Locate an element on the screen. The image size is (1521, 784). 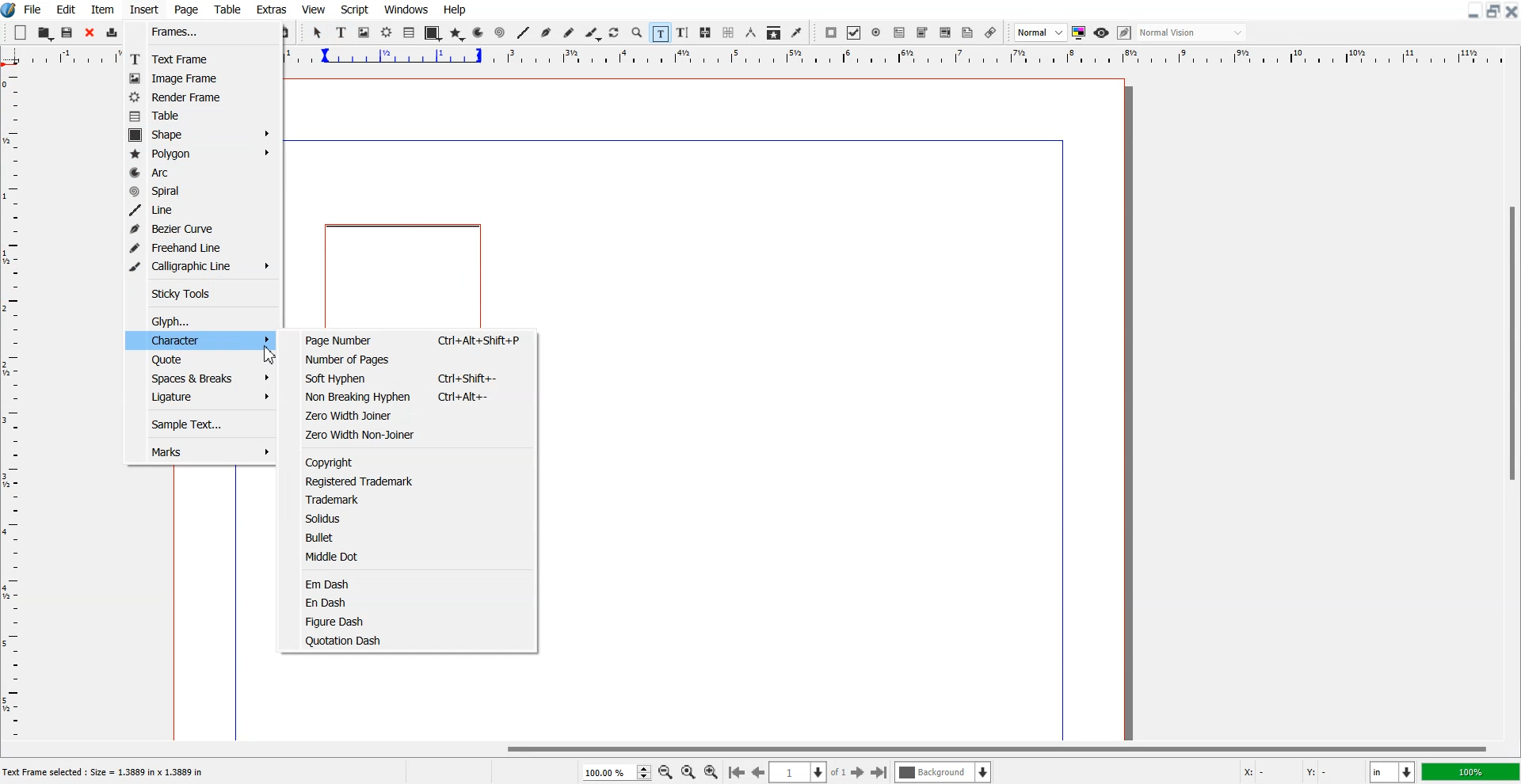
Script is located at coordinates (355, 9).